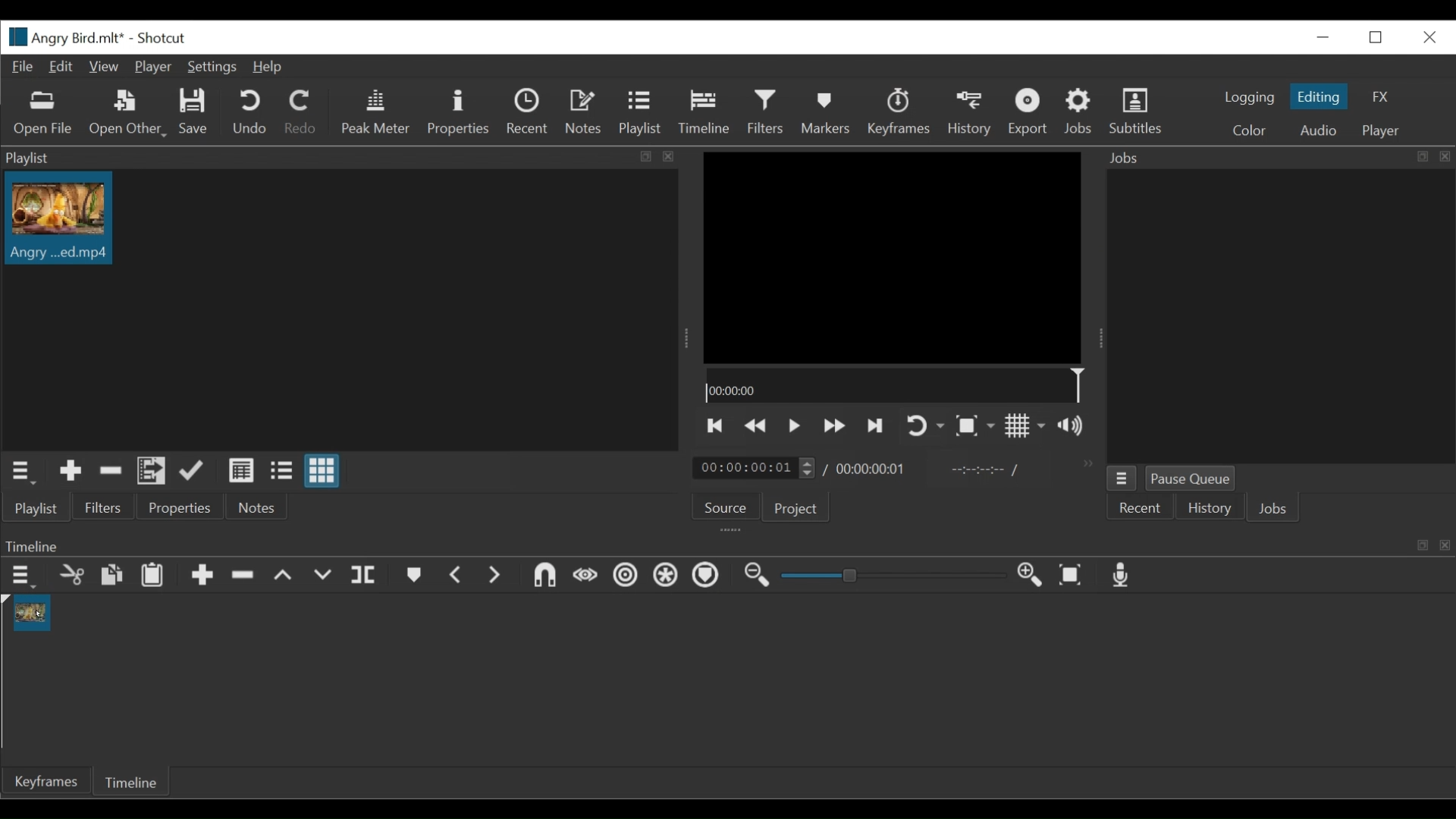 The width and height of the screenshot is (1456, 819). I want to click on Toggle Zoom, so click(973, 426).